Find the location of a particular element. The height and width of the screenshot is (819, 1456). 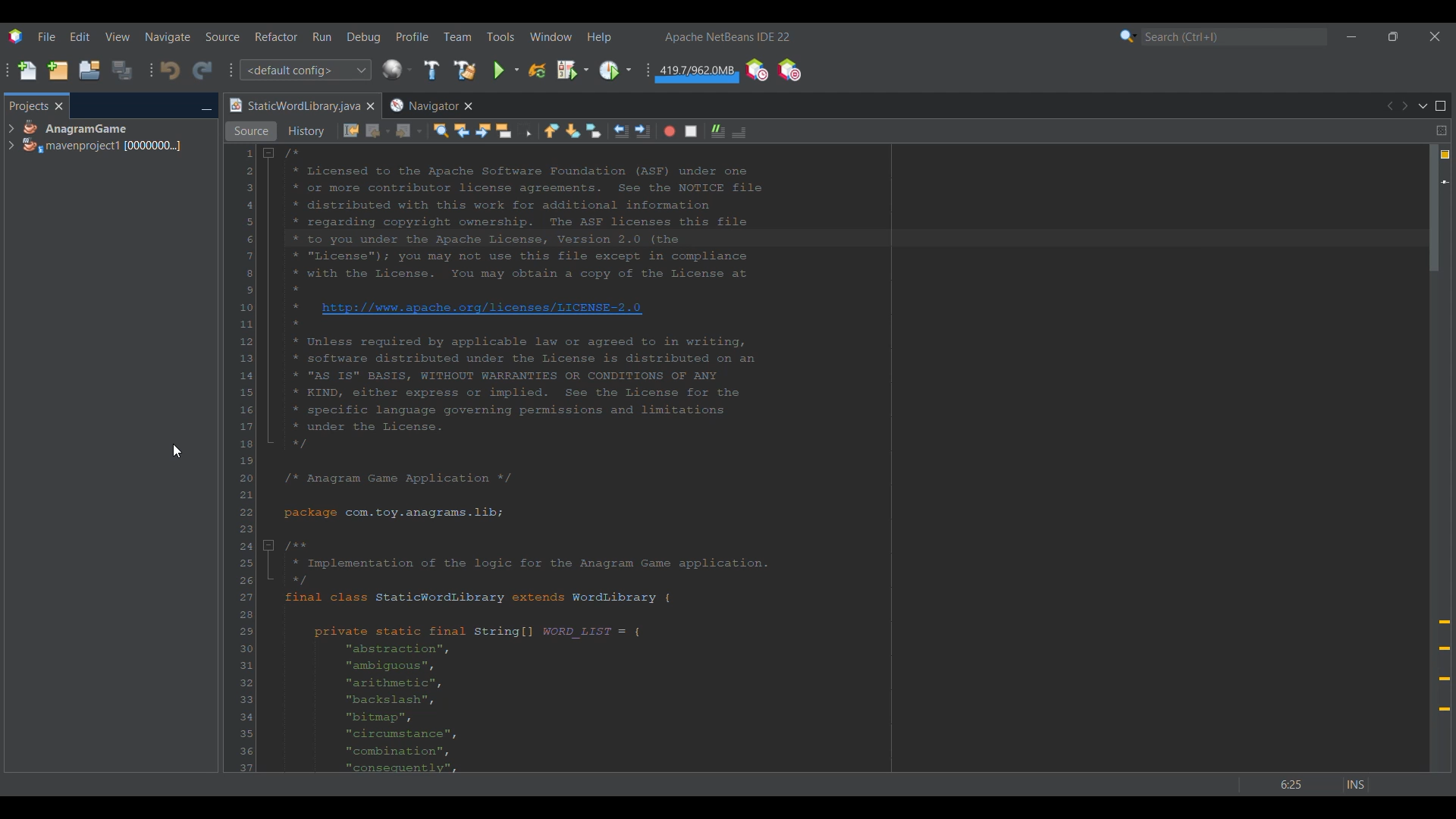

Profile menu is located at coordinates (413, 36).